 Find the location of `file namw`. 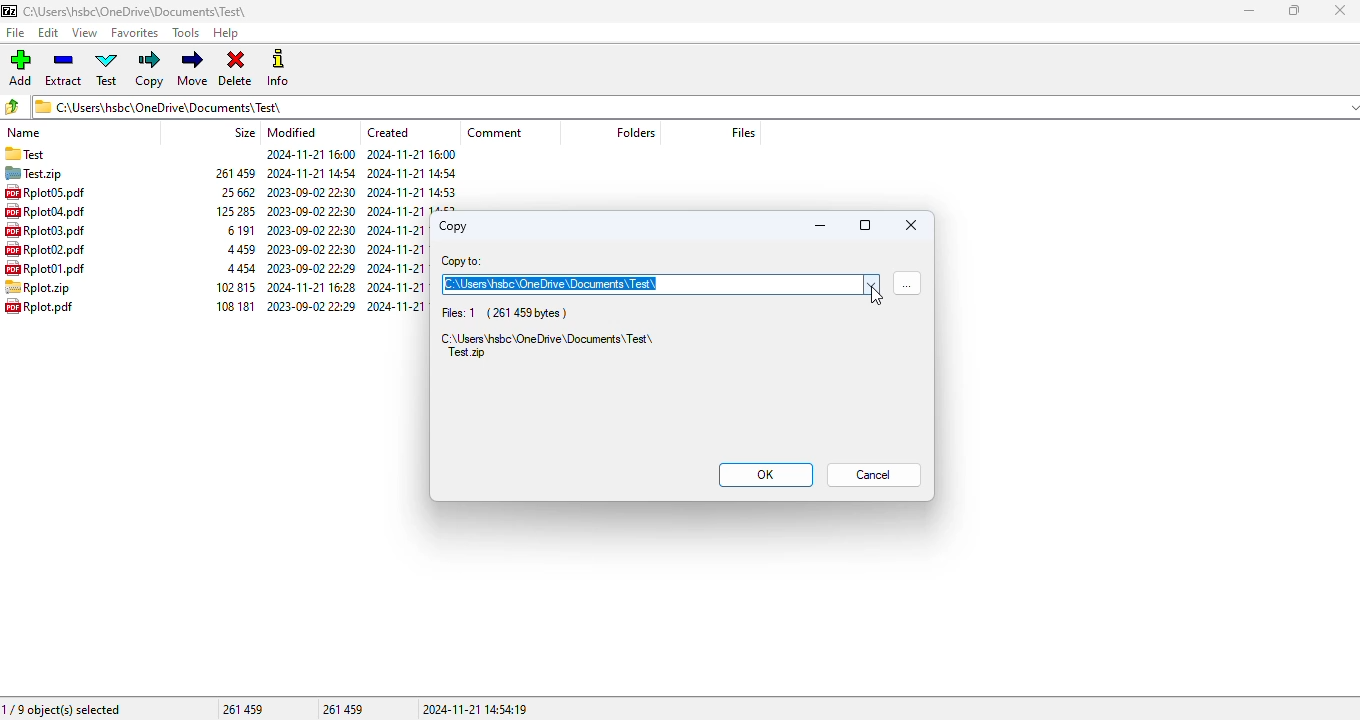

file namw is located at coordinates (44, 192).